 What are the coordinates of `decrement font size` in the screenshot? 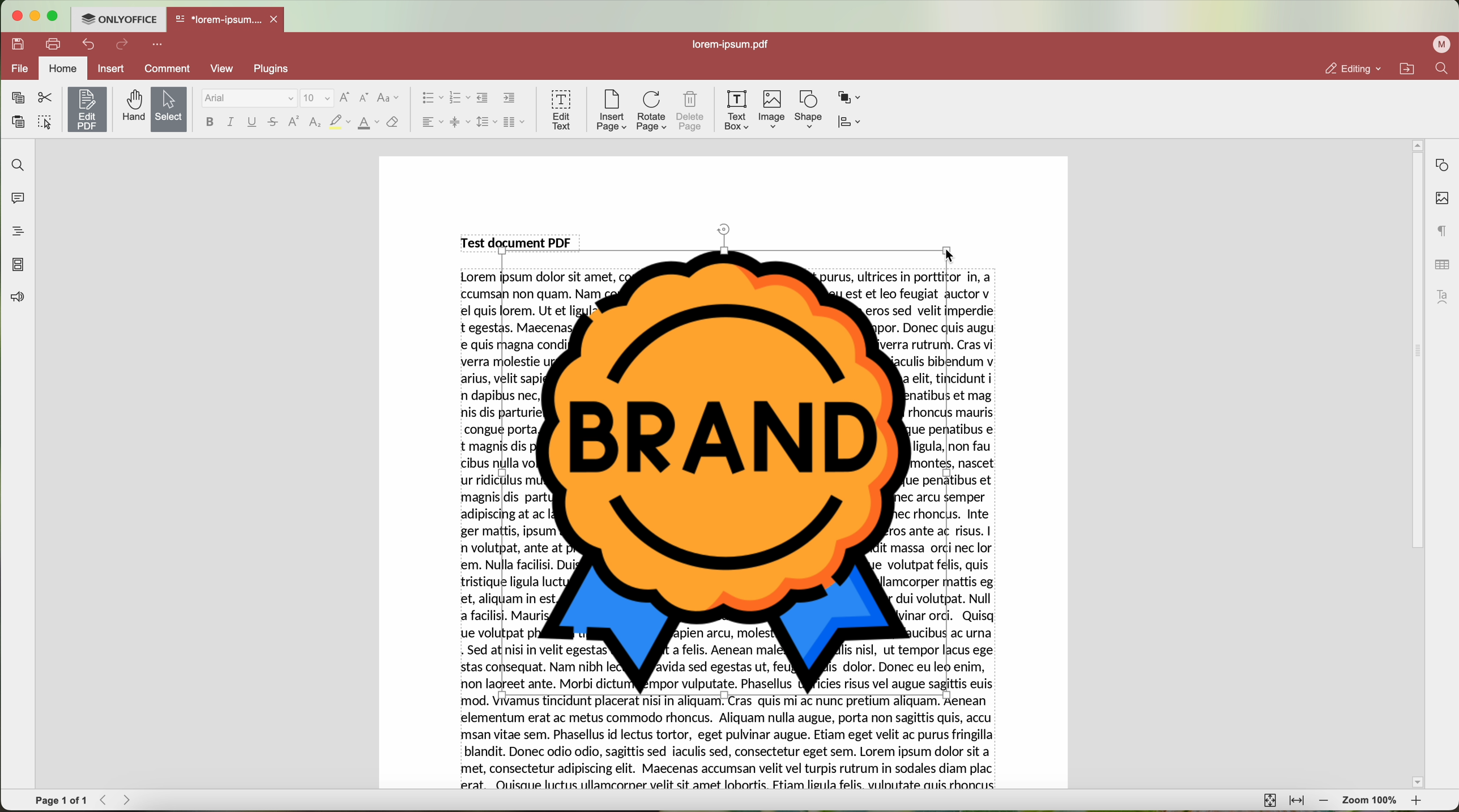 It's located at (364, 99).